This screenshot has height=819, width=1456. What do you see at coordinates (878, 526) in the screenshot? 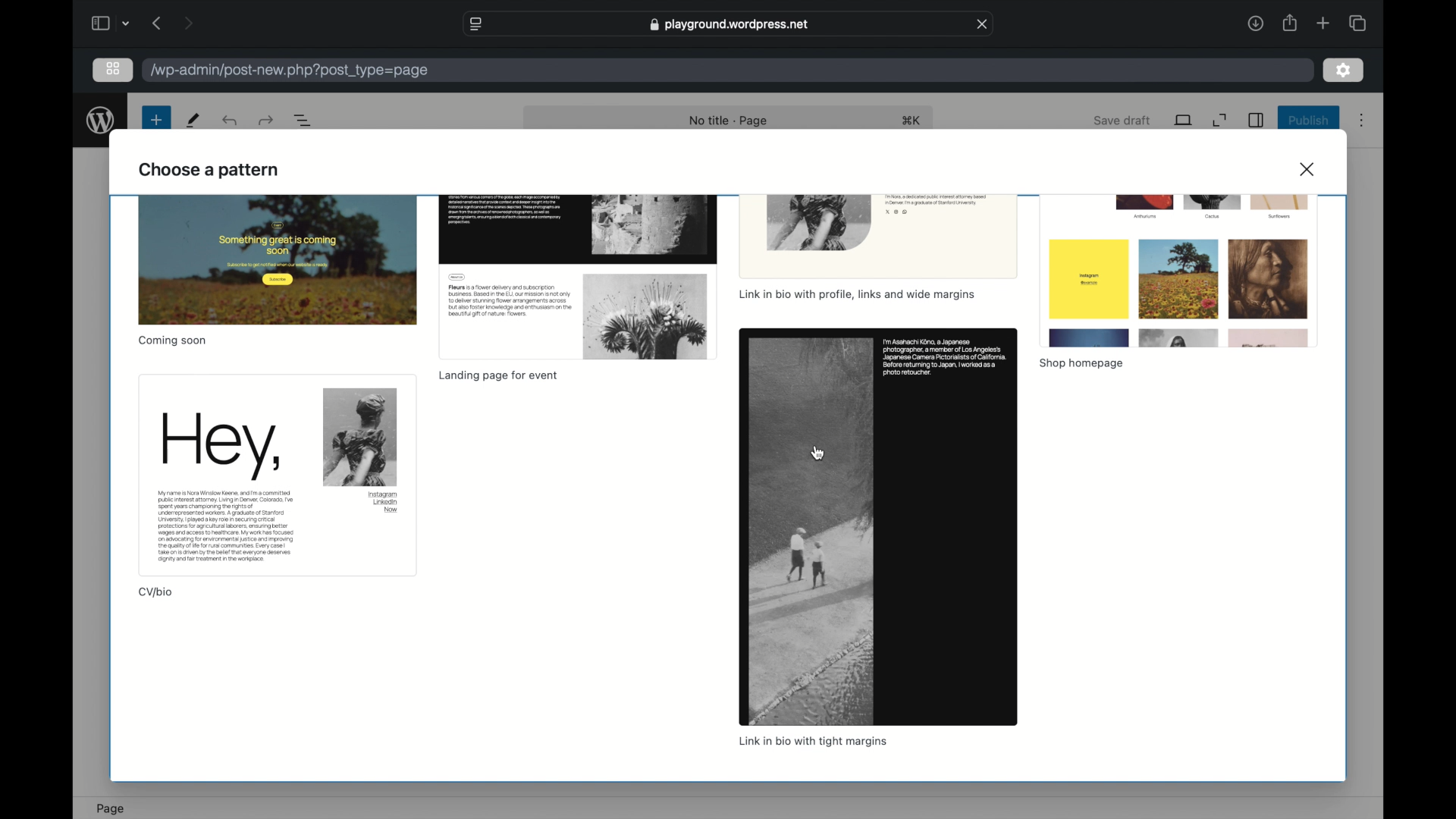
I see `preview` at bounding box center [878, 526].